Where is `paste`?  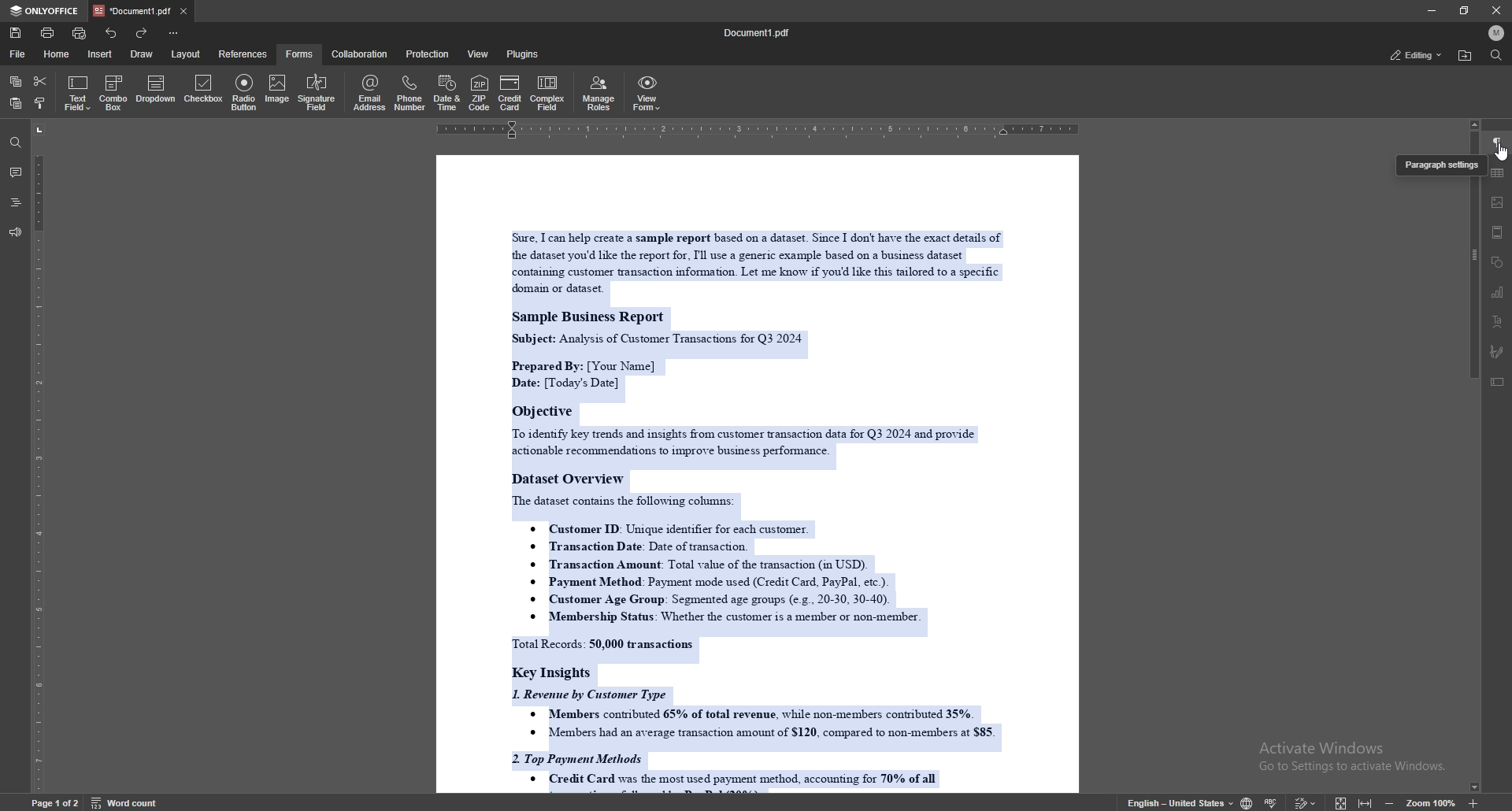
paste is located at coordinates (14, 104).